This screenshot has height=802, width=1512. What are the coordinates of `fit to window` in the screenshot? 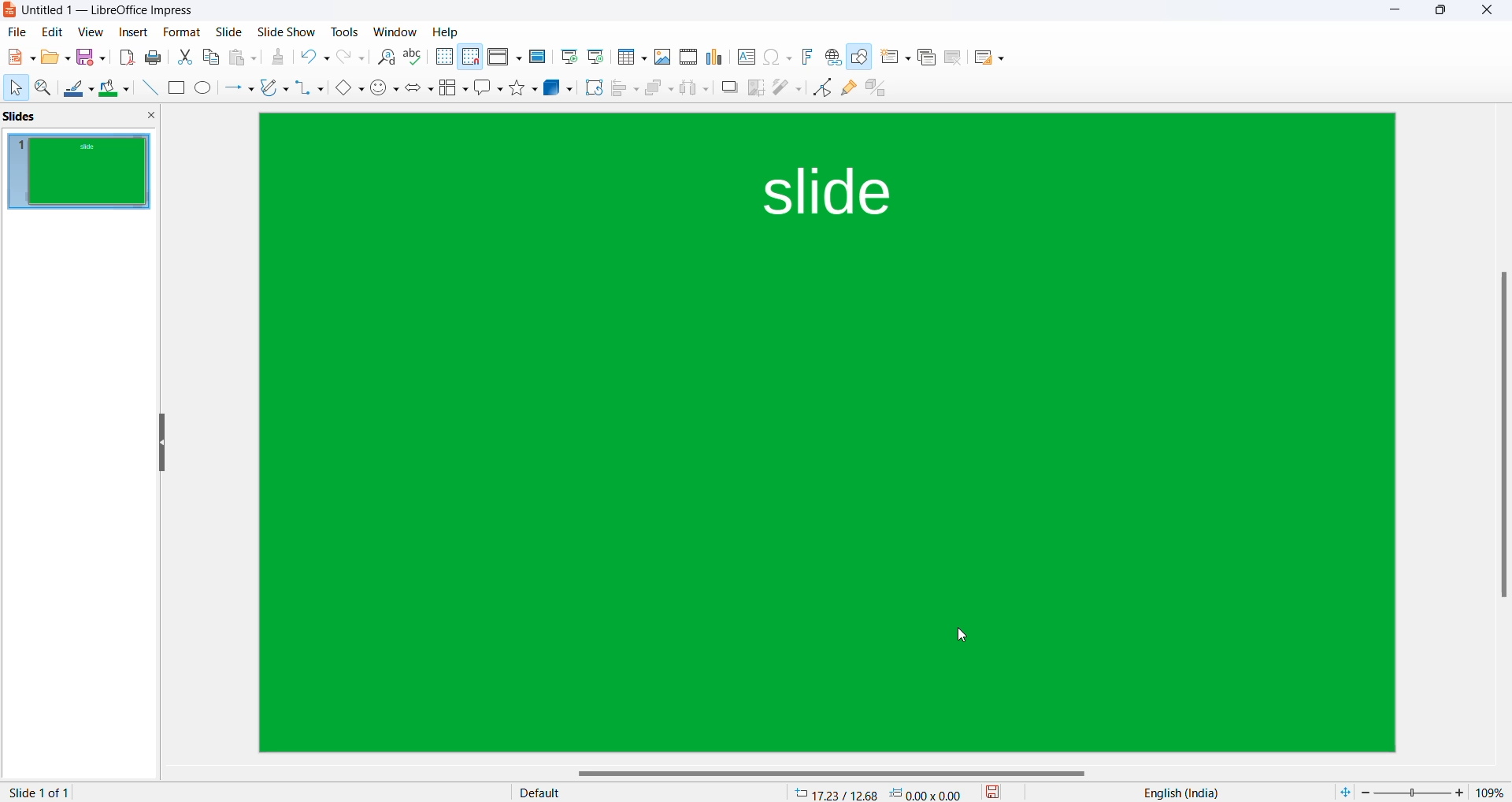 It's located at (1344, 790).